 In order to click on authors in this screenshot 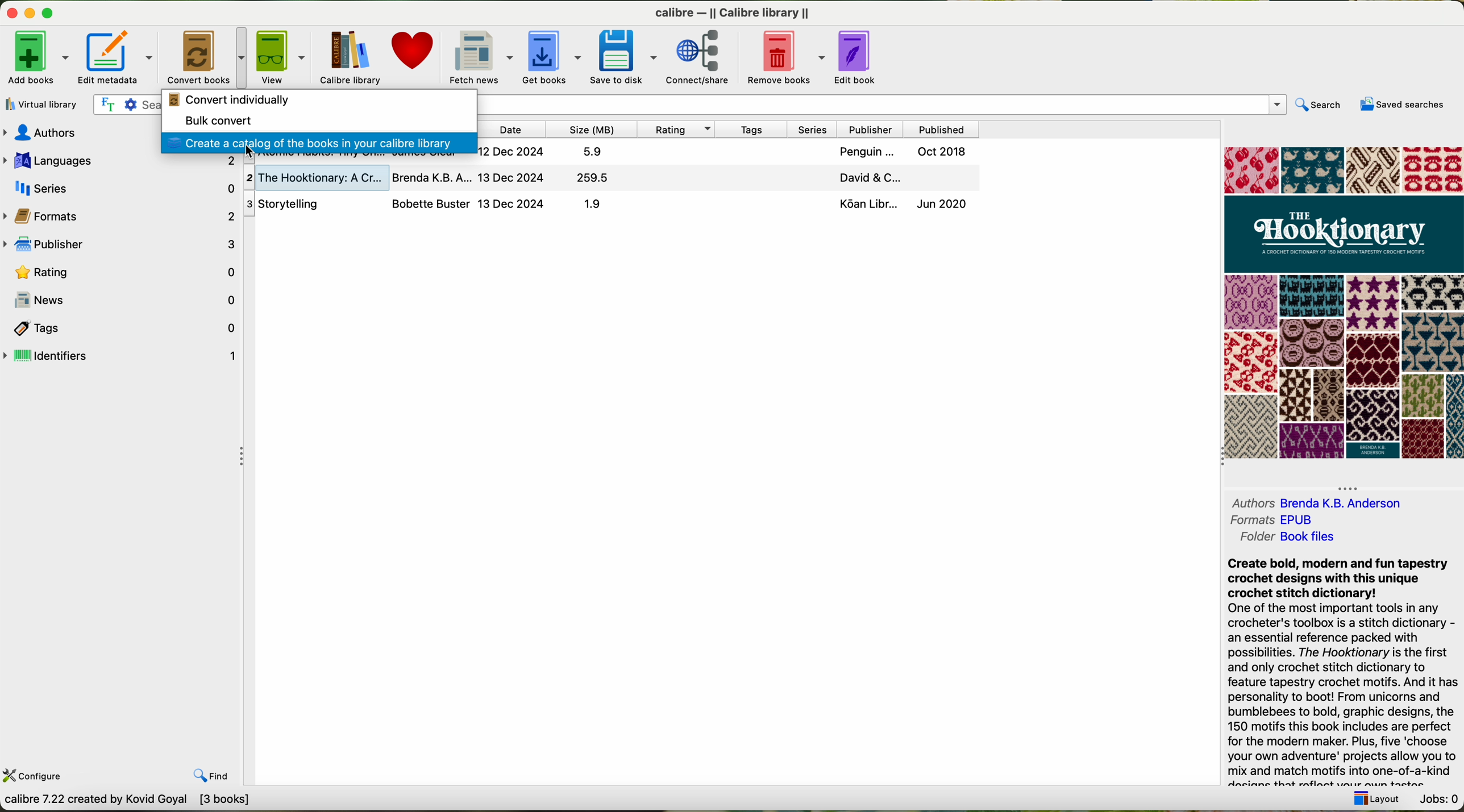, I will do `click(1250, 503)`.